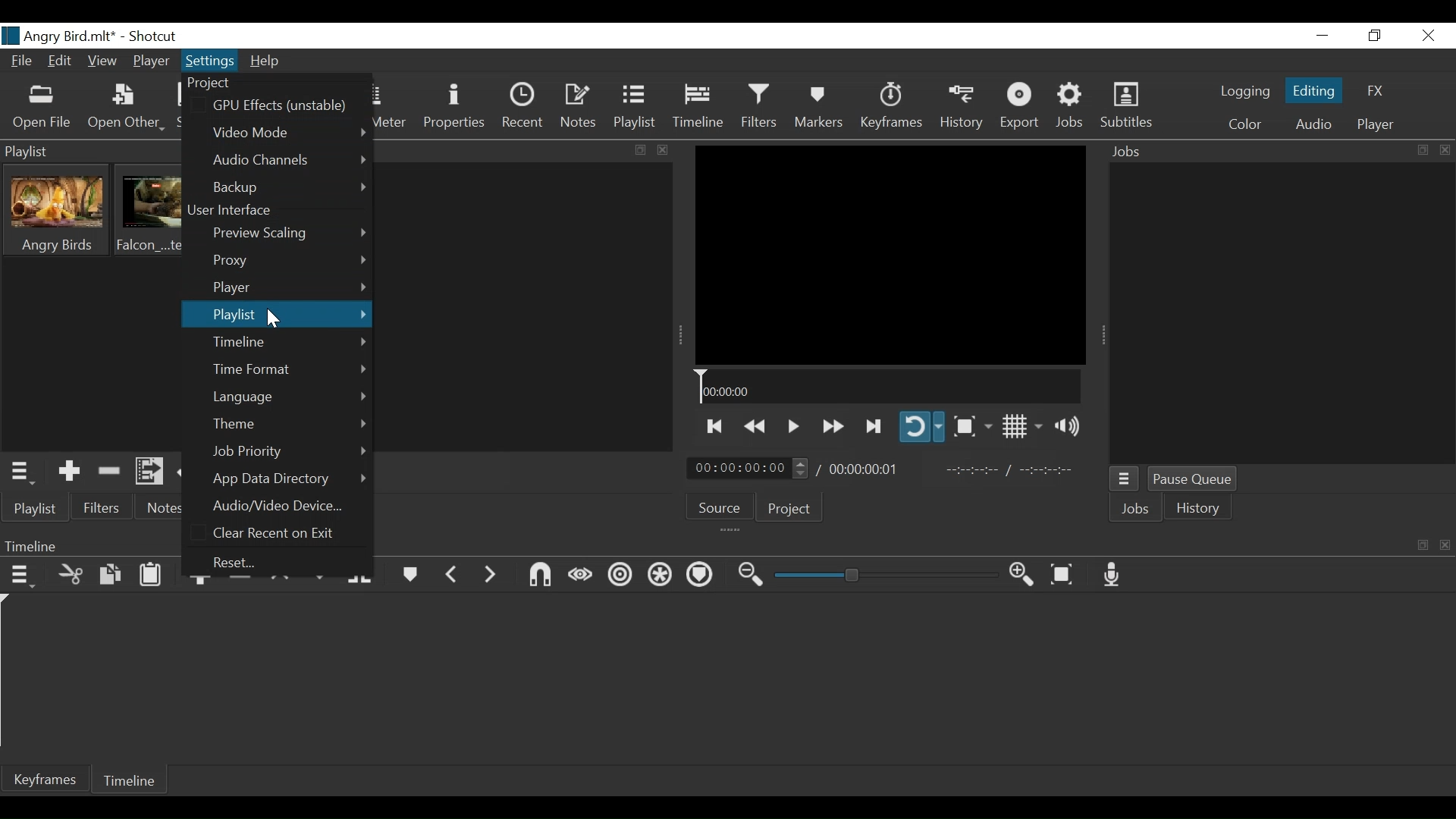  Describe the element at coordinates (276, 320) in the screenshot. I see `Cursor` at that location.